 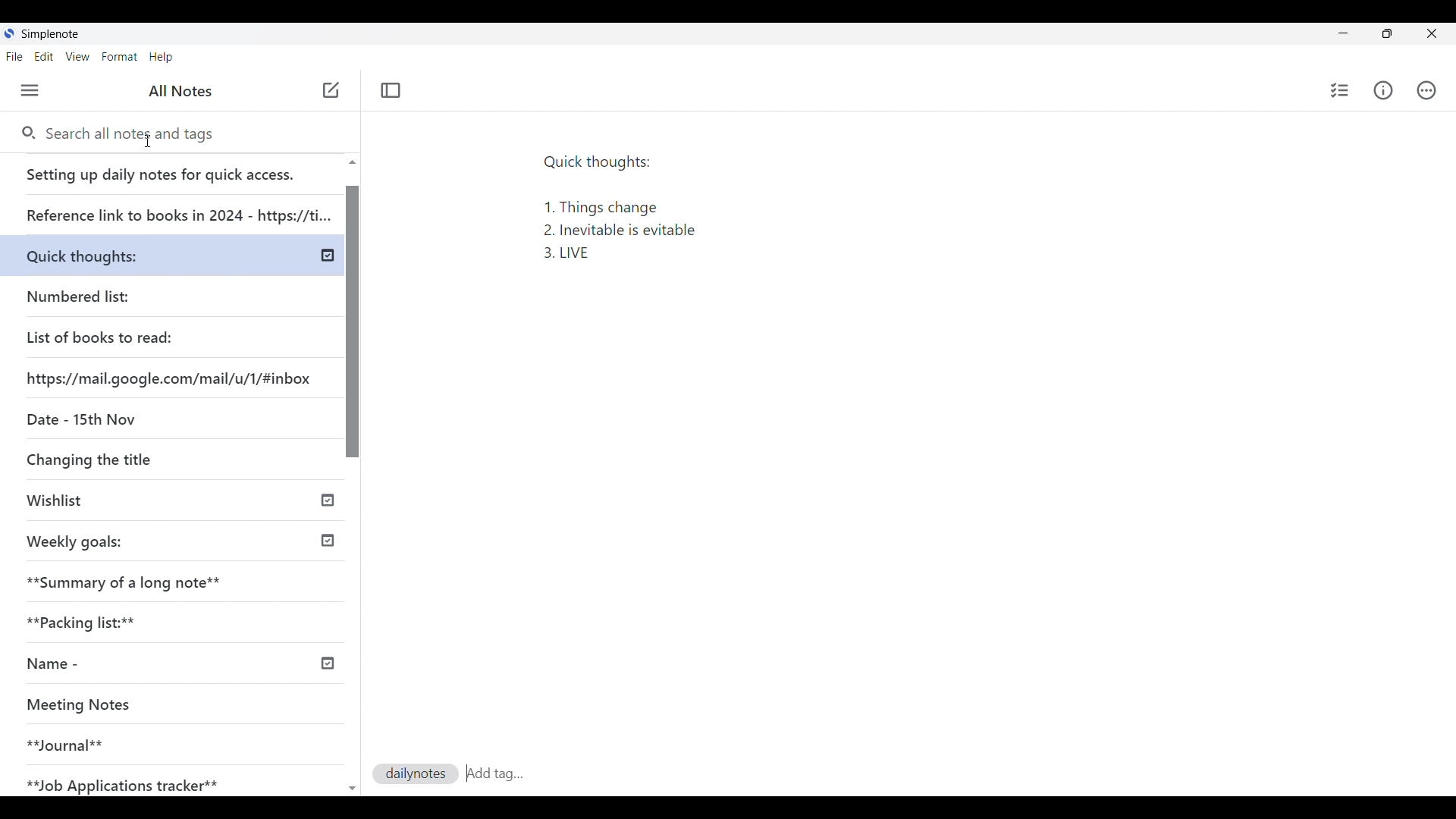 What do you see at coordinates (108, 664) in the screenshot?
I see `Name` at bounding box center [108, 664].